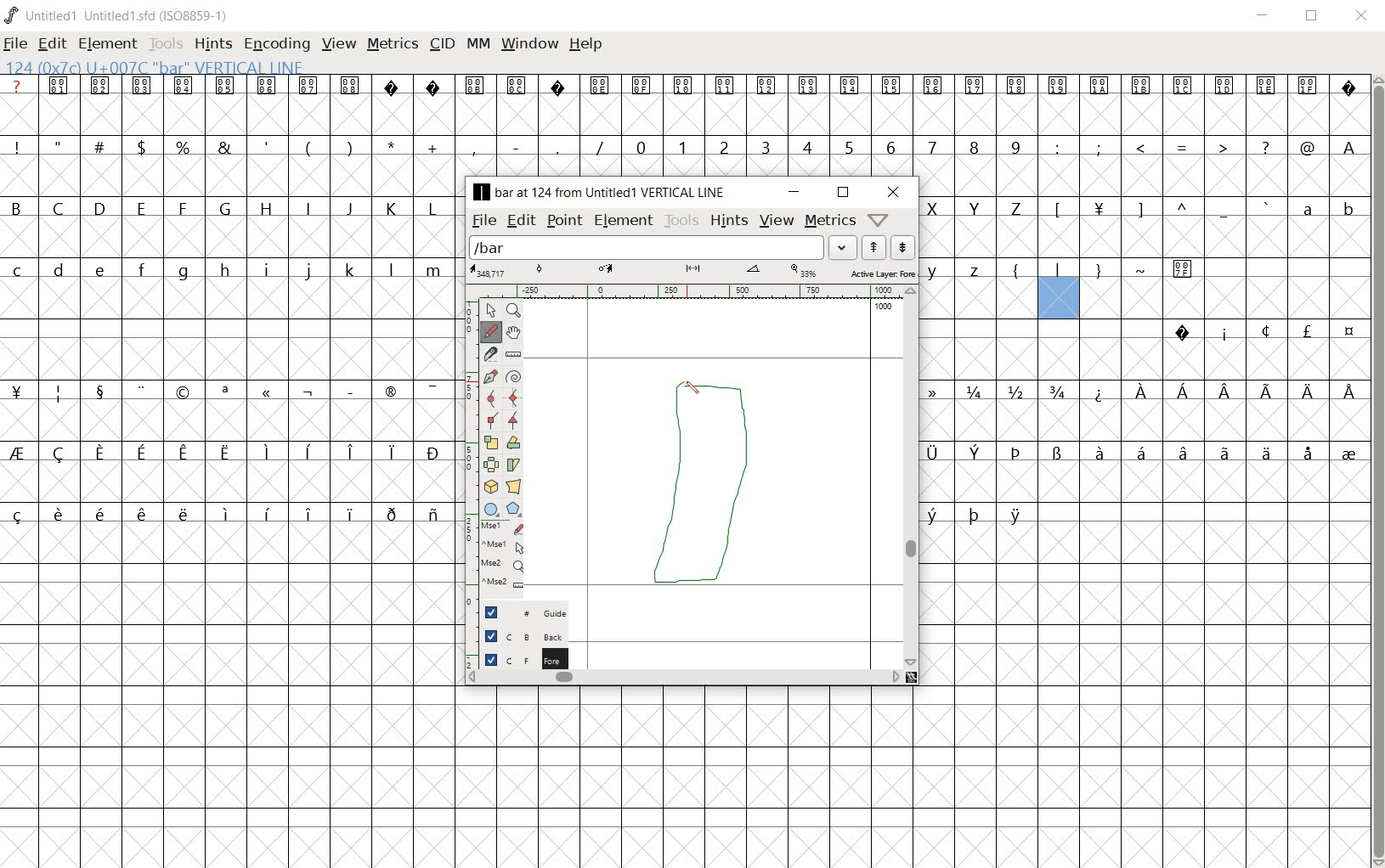  What do you see at coordinates (489, 509) in the screenshot?
I see `rectangle or ellipse` at bounding box center [489, 509].